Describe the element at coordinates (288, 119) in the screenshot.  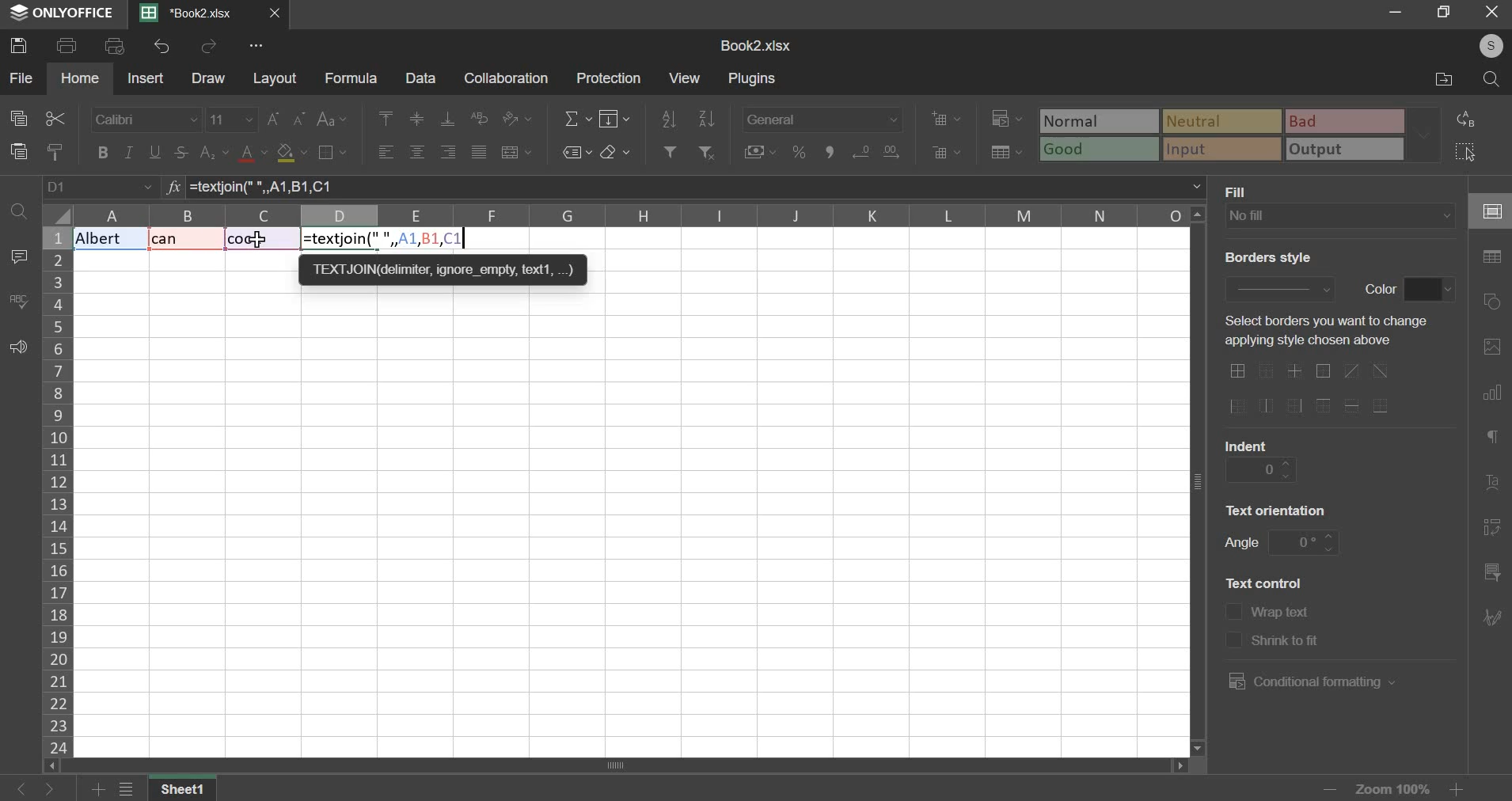
I see `font size change` at that location.